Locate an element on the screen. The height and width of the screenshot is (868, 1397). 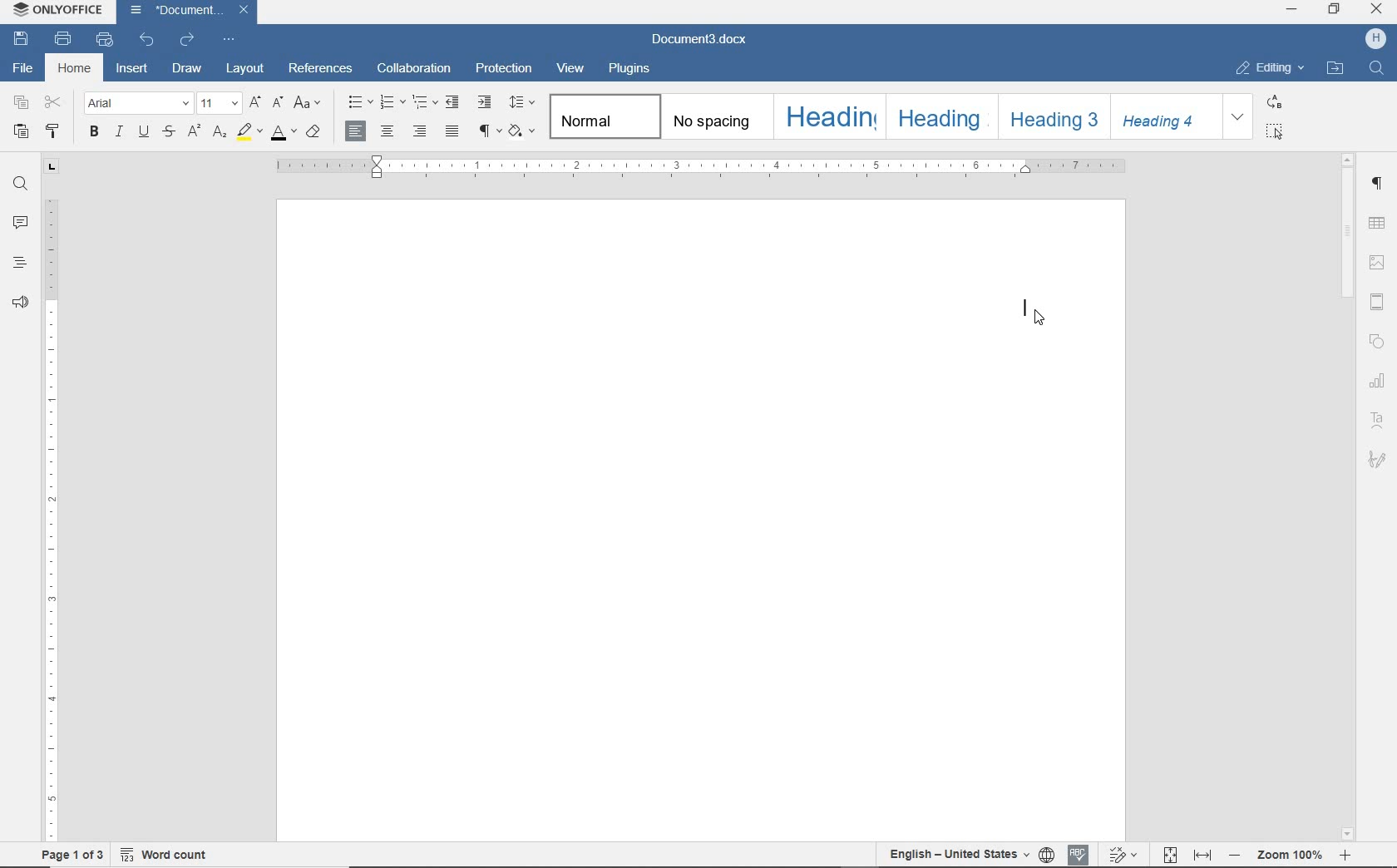
REPLACE is located at coordinates (1284, 101).